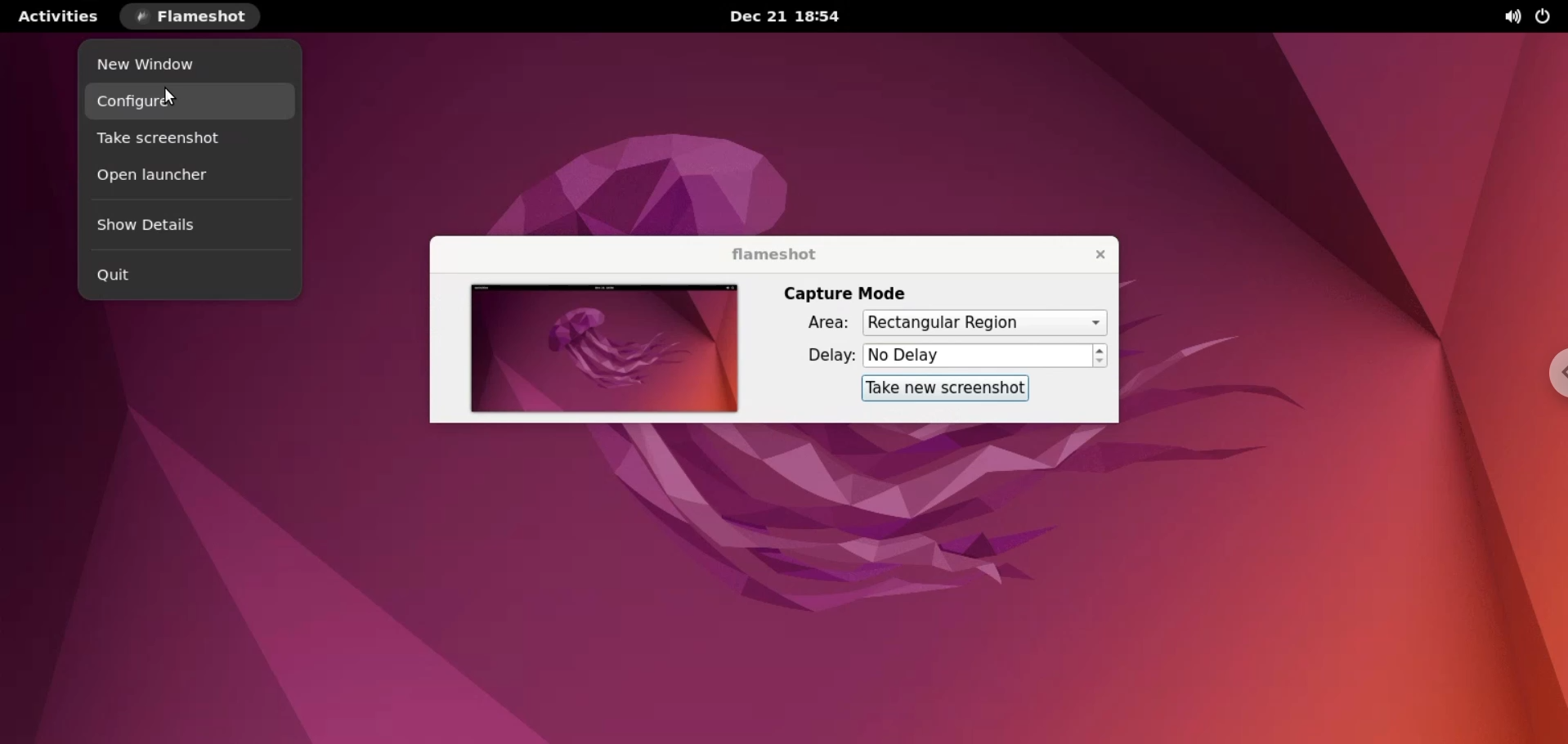 This screenshot has width=1568, height=744. What do you see at coordinates (186, 104) in the screenshot?
I see `configure` at bounding box center [186, 104].